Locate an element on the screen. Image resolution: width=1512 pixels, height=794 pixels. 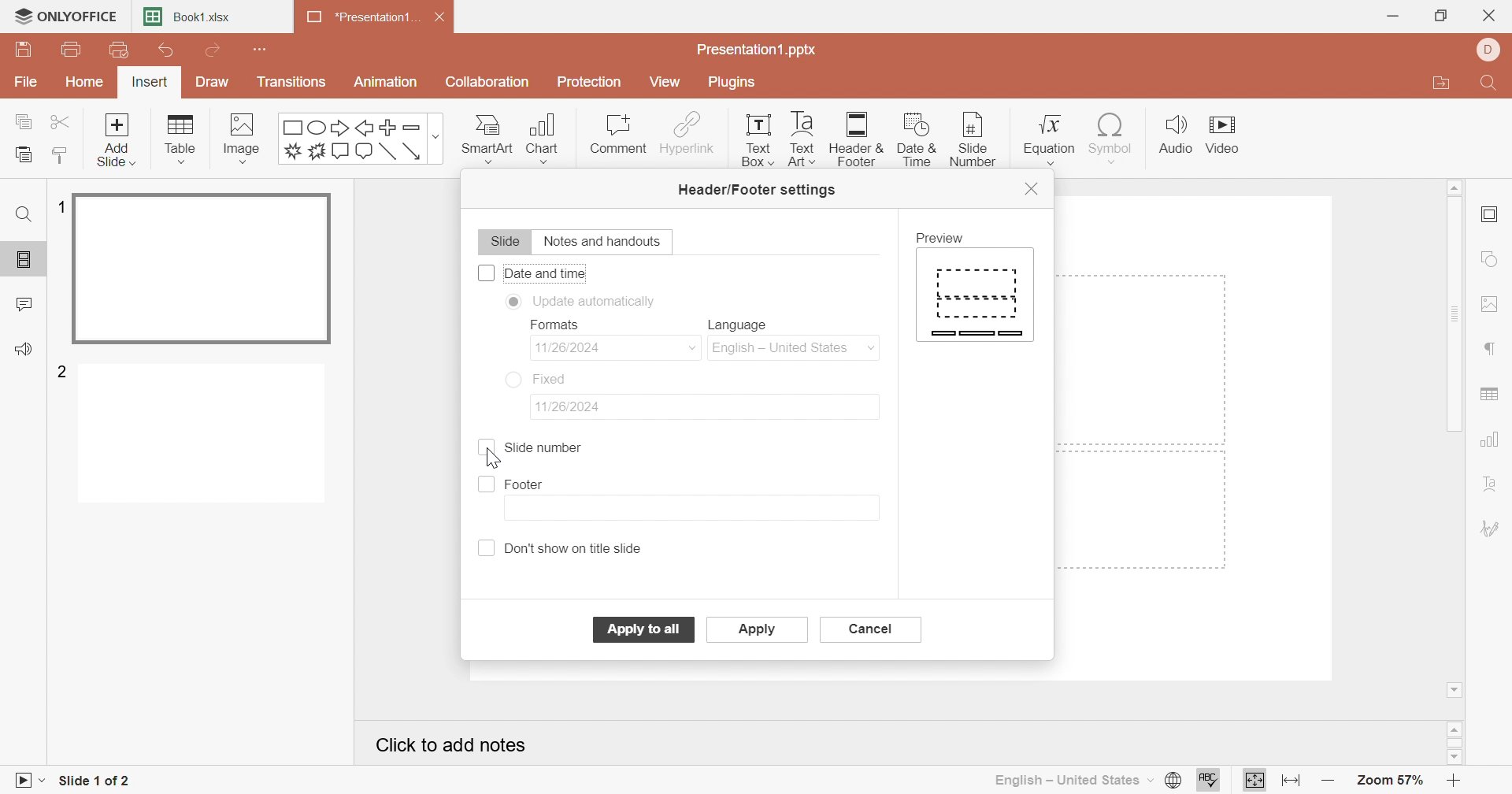
Symbol is located at coordinates (1107, 137).